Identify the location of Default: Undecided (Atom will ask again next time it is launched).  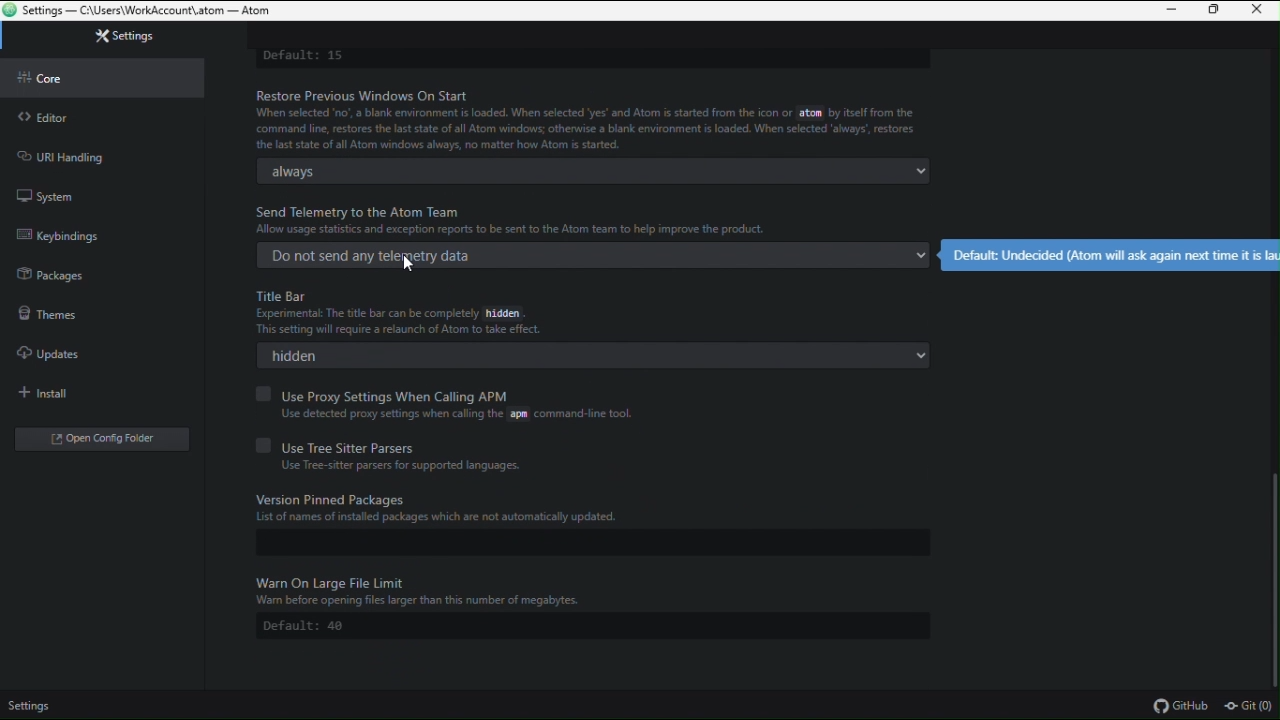
(1109, 255).